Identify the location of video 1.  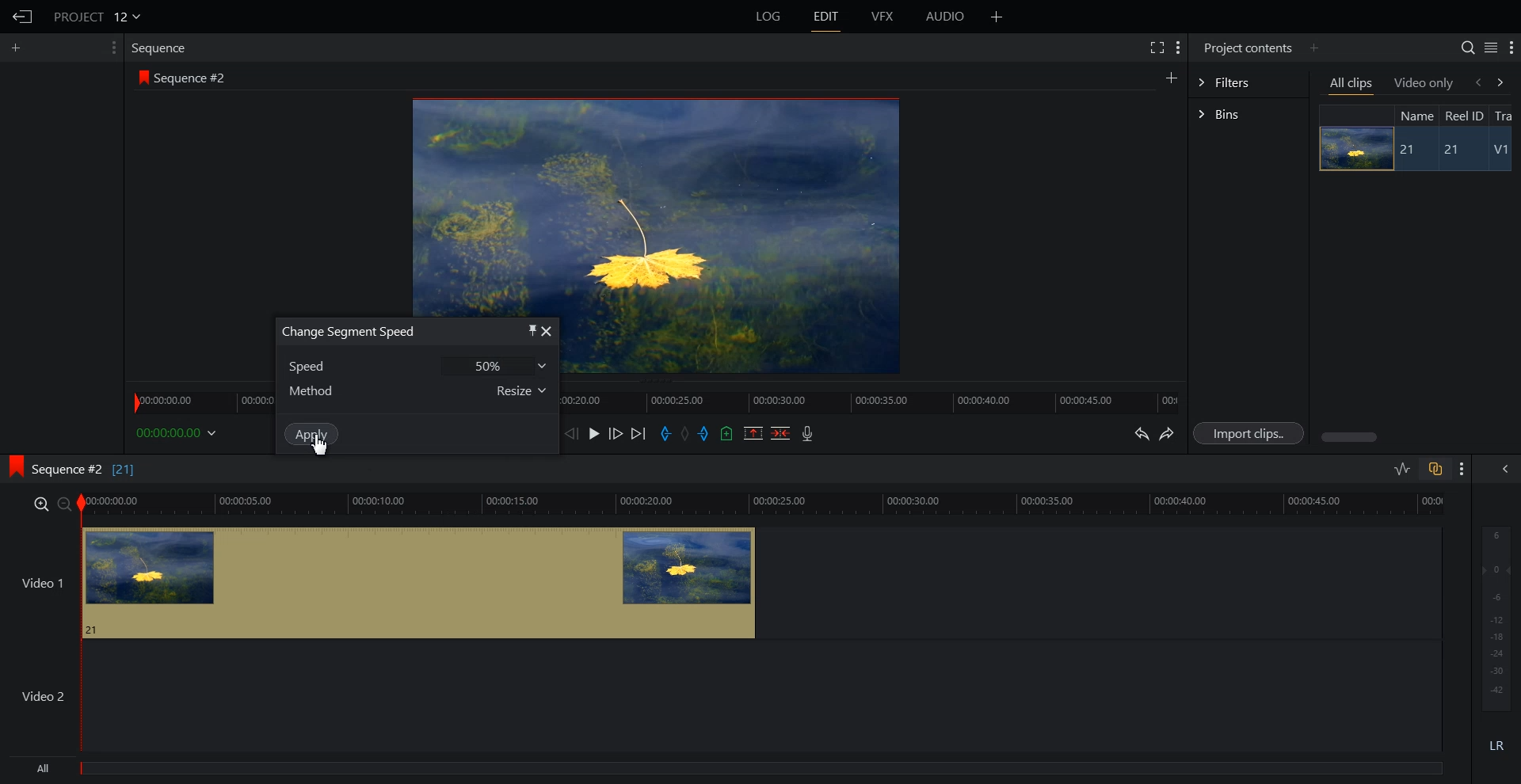
(379, 580).